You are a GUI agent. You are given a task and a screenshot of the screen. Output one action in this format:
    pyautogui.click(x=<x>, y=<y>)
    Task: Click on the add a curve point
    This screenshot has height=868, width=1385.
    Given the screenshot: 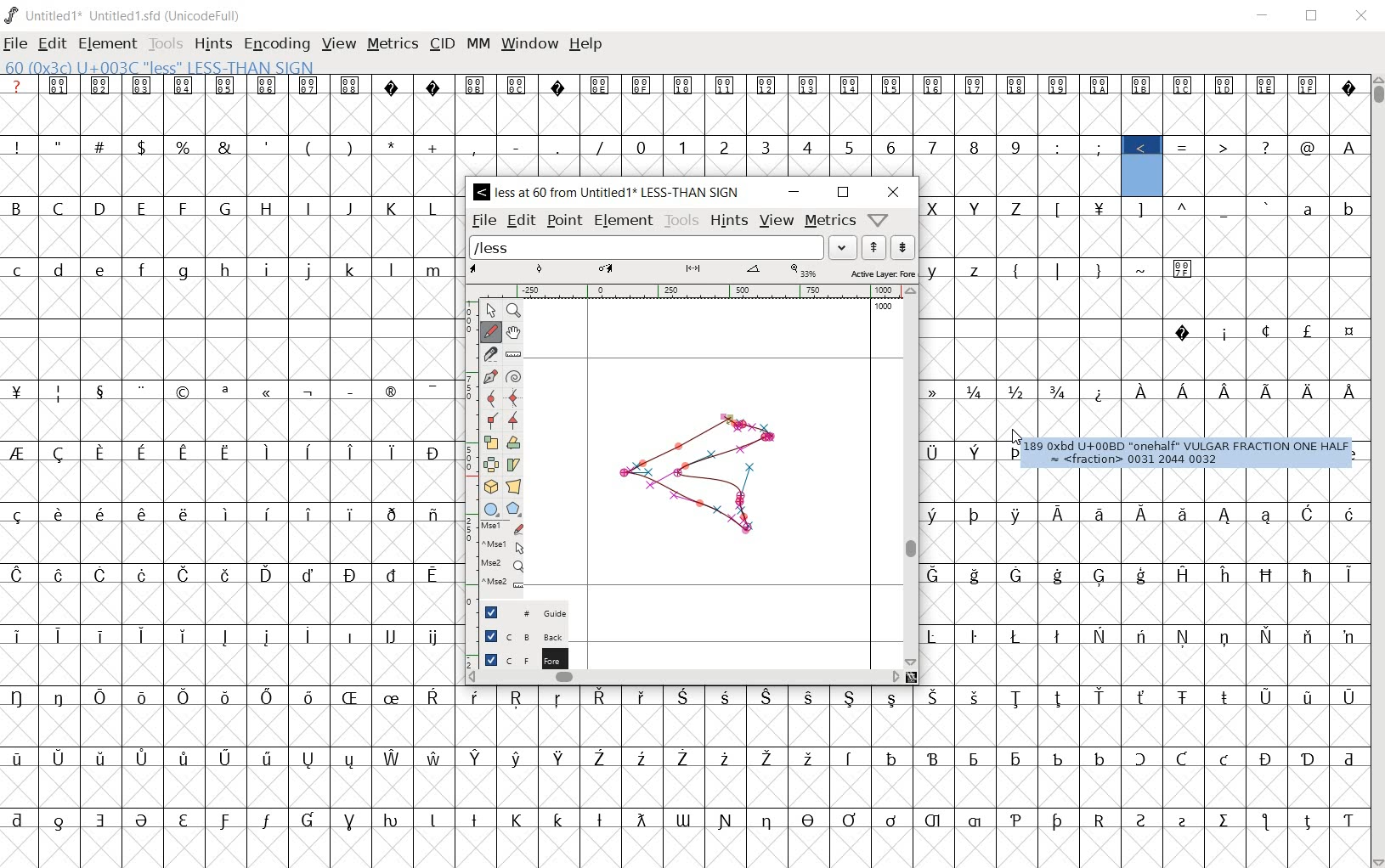 What is the action you would take?
    pyautogui.click(x=490, y=397)
    